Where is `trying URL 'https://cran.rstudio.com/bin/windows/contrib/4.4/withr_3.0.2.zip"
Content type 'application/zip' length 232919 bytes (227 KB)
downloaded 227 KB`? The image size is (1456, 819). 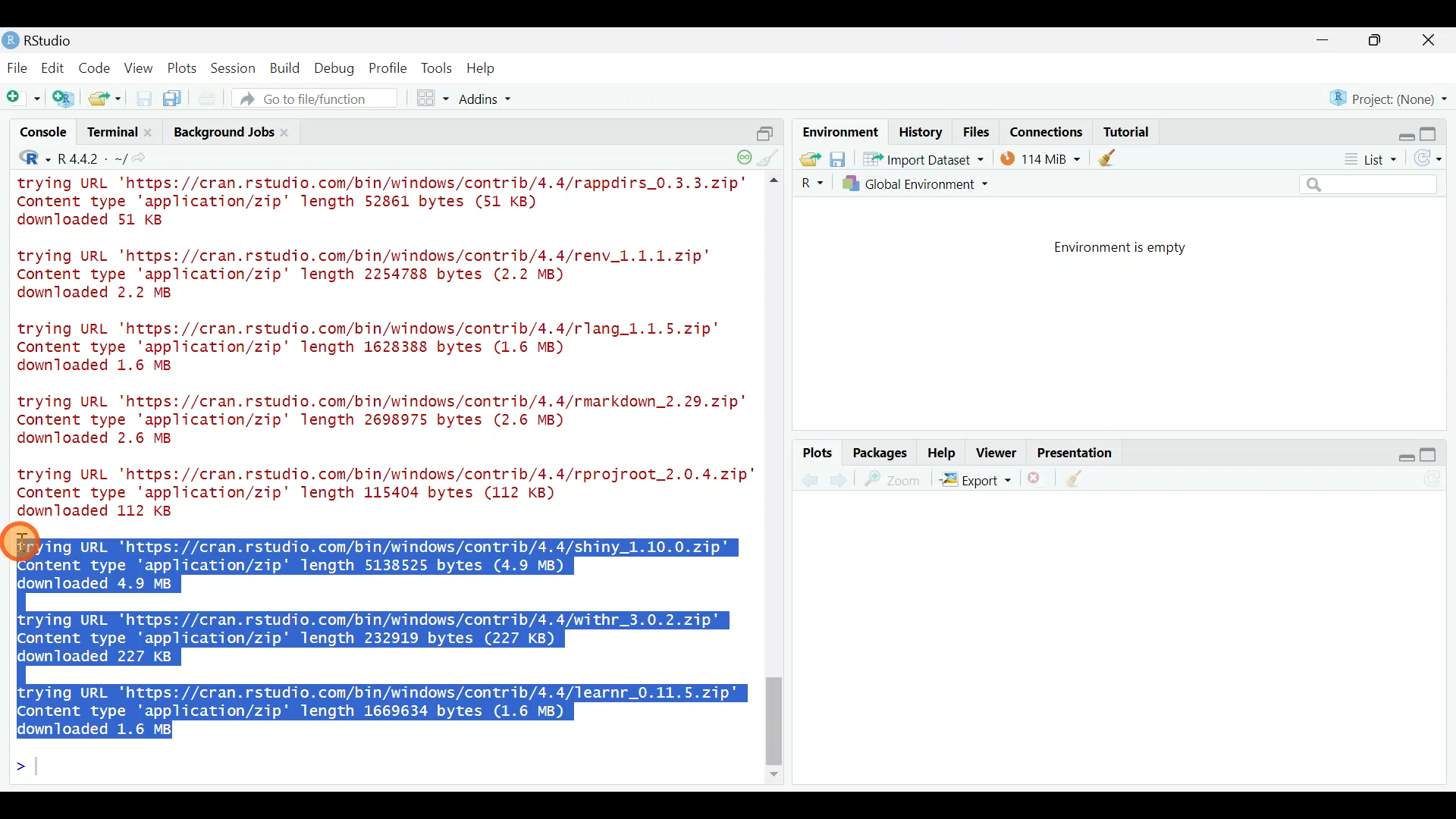 trying URL 'https://cran.rstudio.com/bin/windows/contrib/4.4/withr_3.0.2.zip"
Content type 'application/zip' length 232919 bytes (227 KB)
downloaded 227 KB is located at coordinates (372, 638).